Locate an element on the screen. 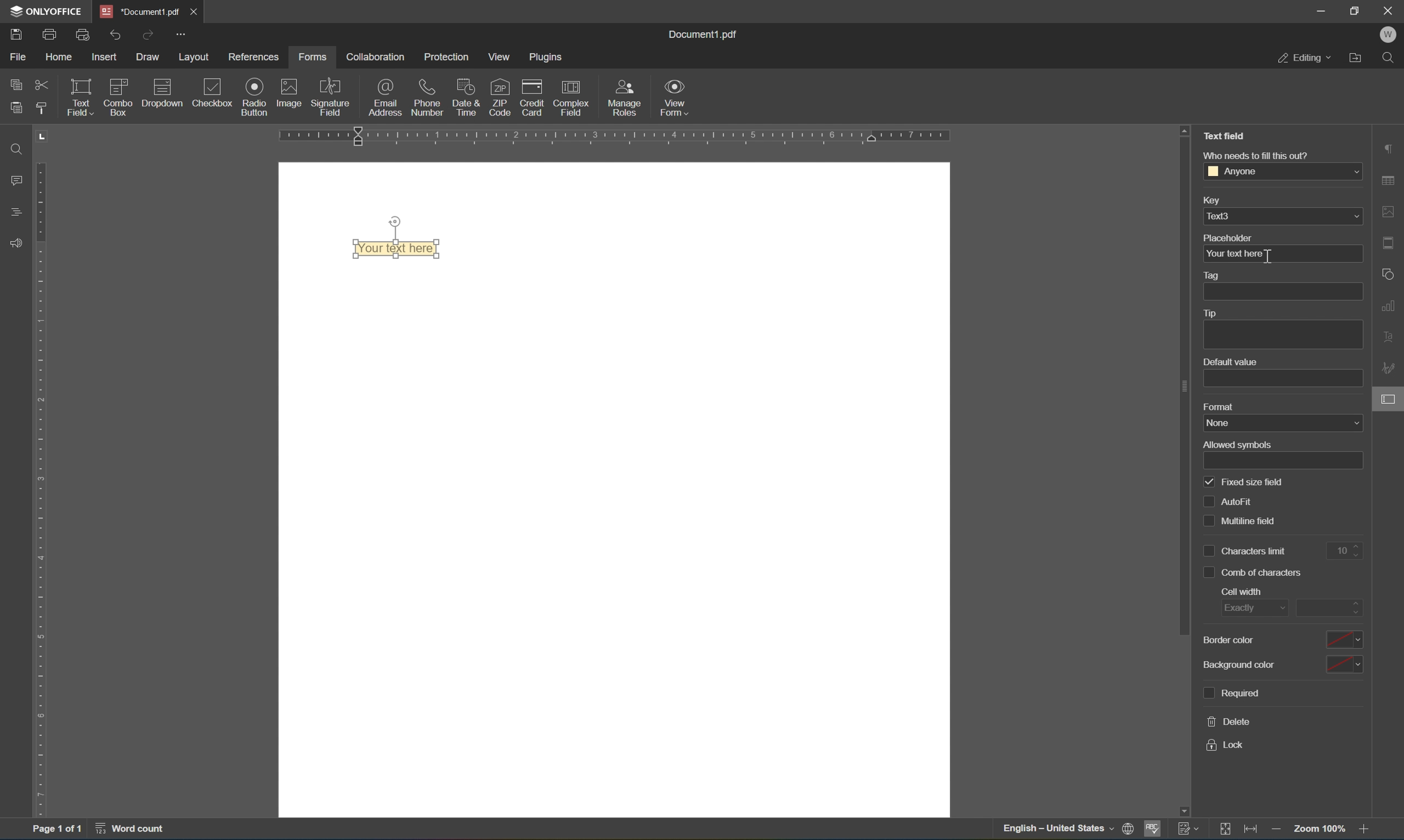 This screenshot has width=1404, height=840. print is located at coordinates (1125, 828).